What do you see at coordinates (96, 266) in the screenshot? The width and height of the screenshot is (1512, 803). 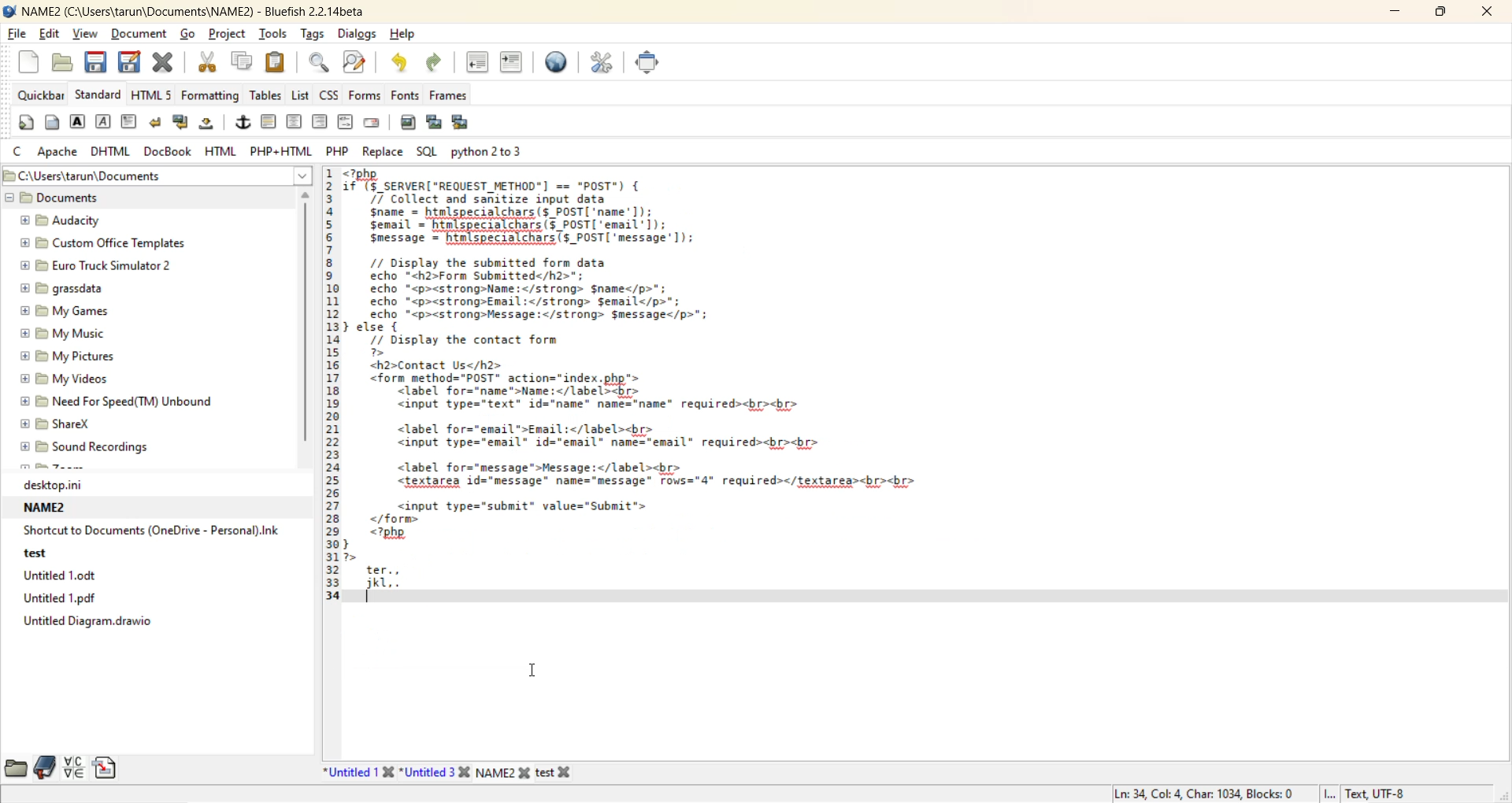 I see `Euro Truck Simulator 2` at bounding box center [96, 266].